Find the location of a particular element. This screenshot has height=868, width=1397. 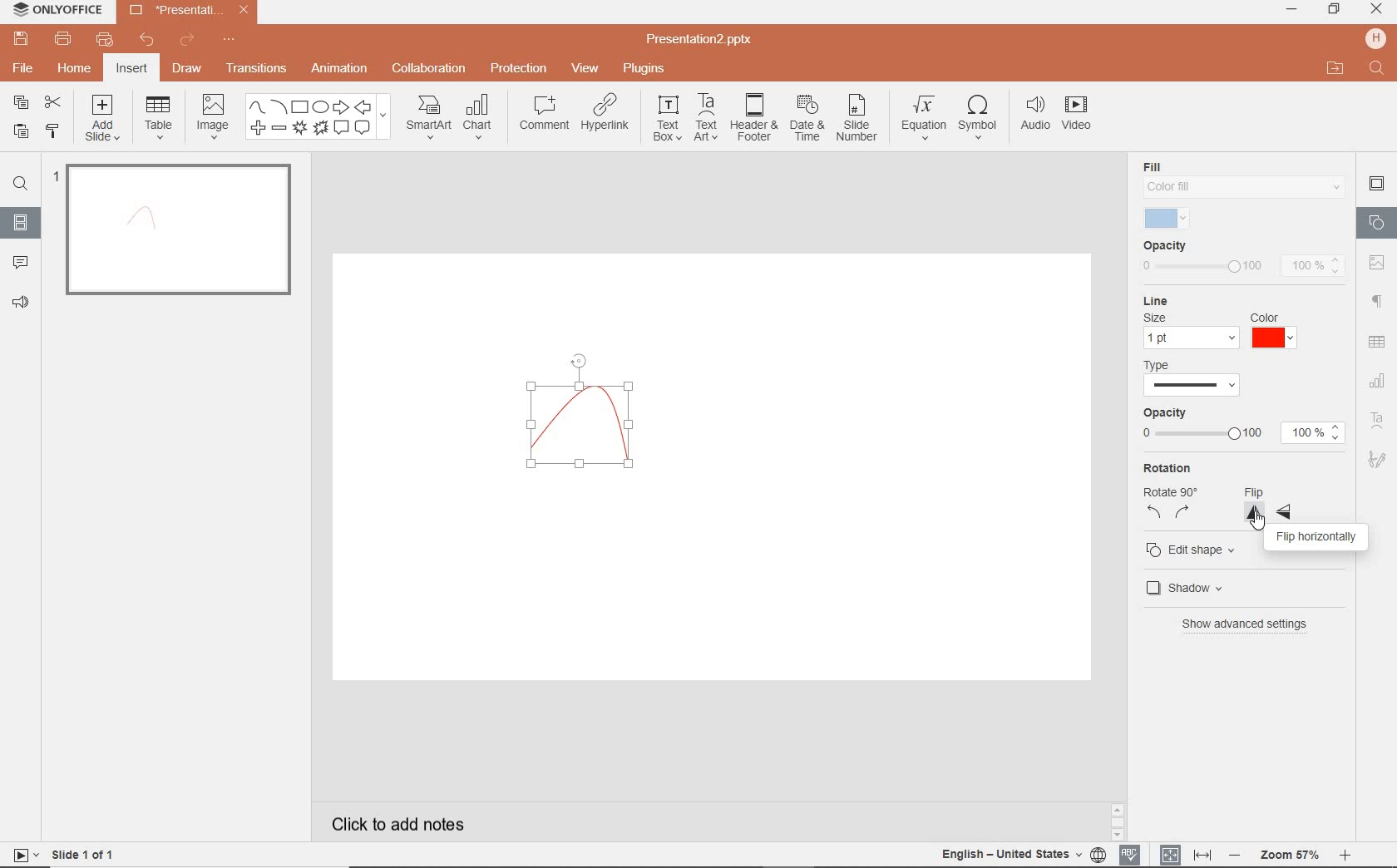

SCROLLBAR is located at coordinates (1118, 820).